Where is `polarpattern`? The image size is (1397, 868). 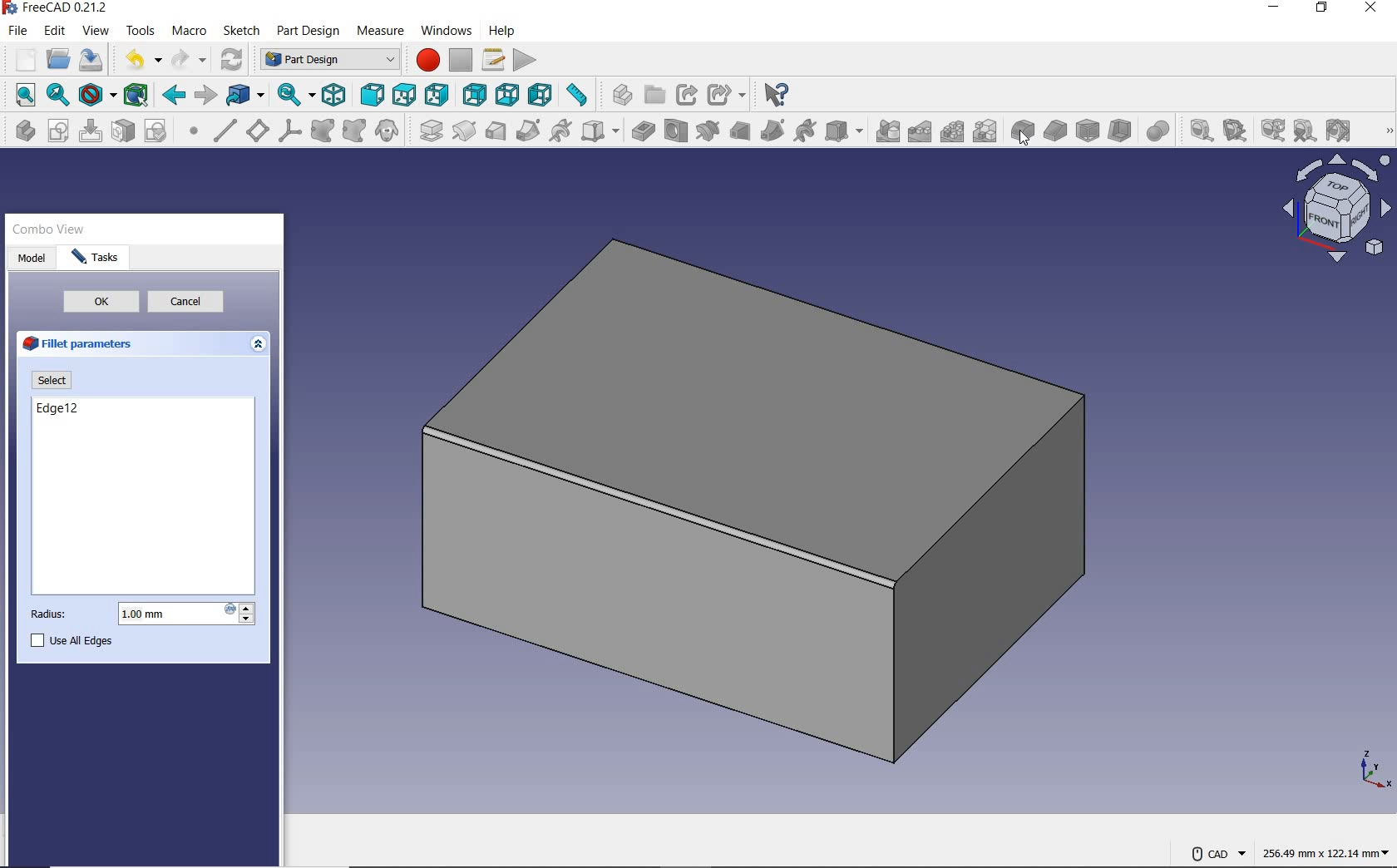
polarpattern is located at coordinates (951, 131).